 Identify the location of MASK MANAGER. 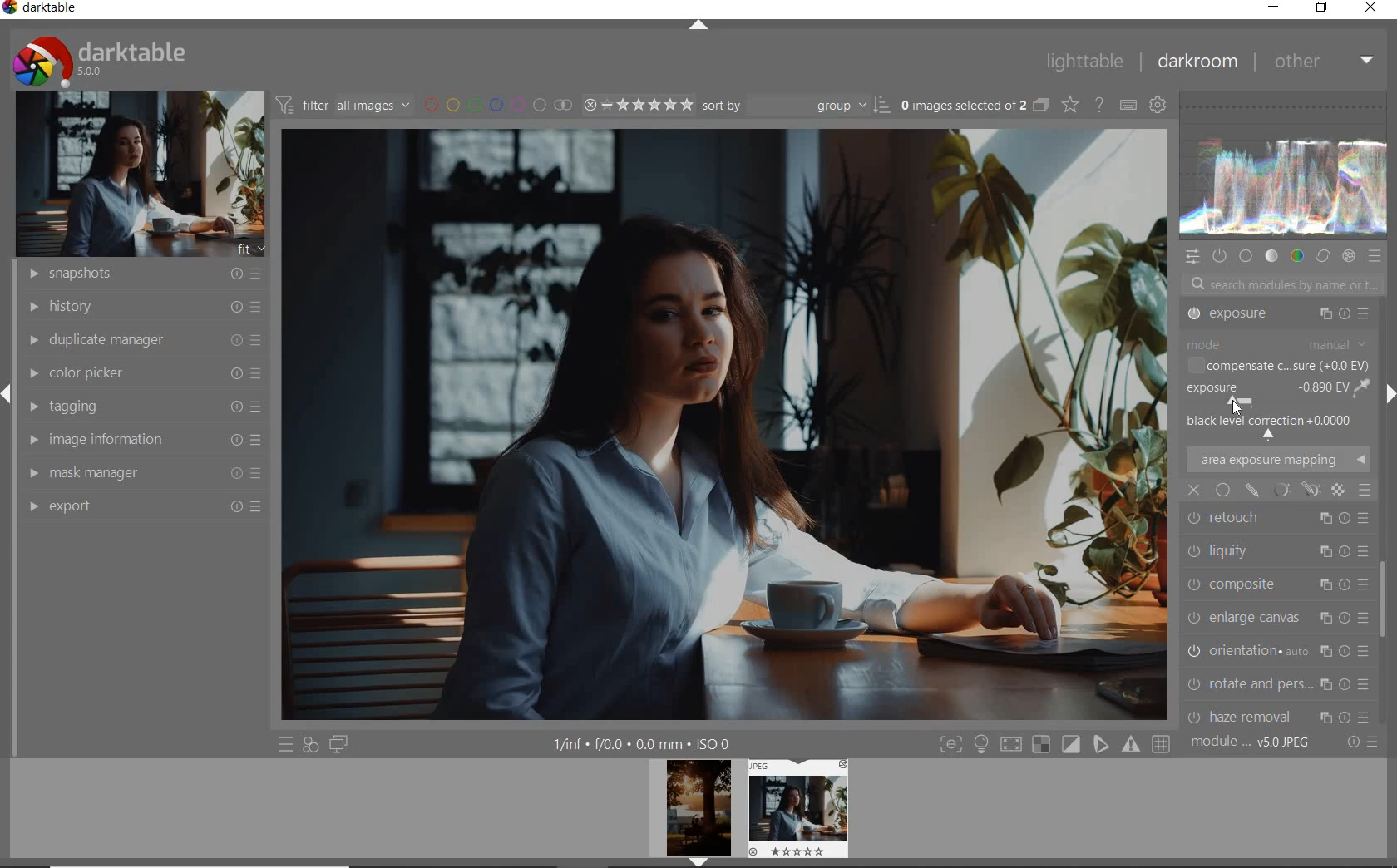
(141, 472).